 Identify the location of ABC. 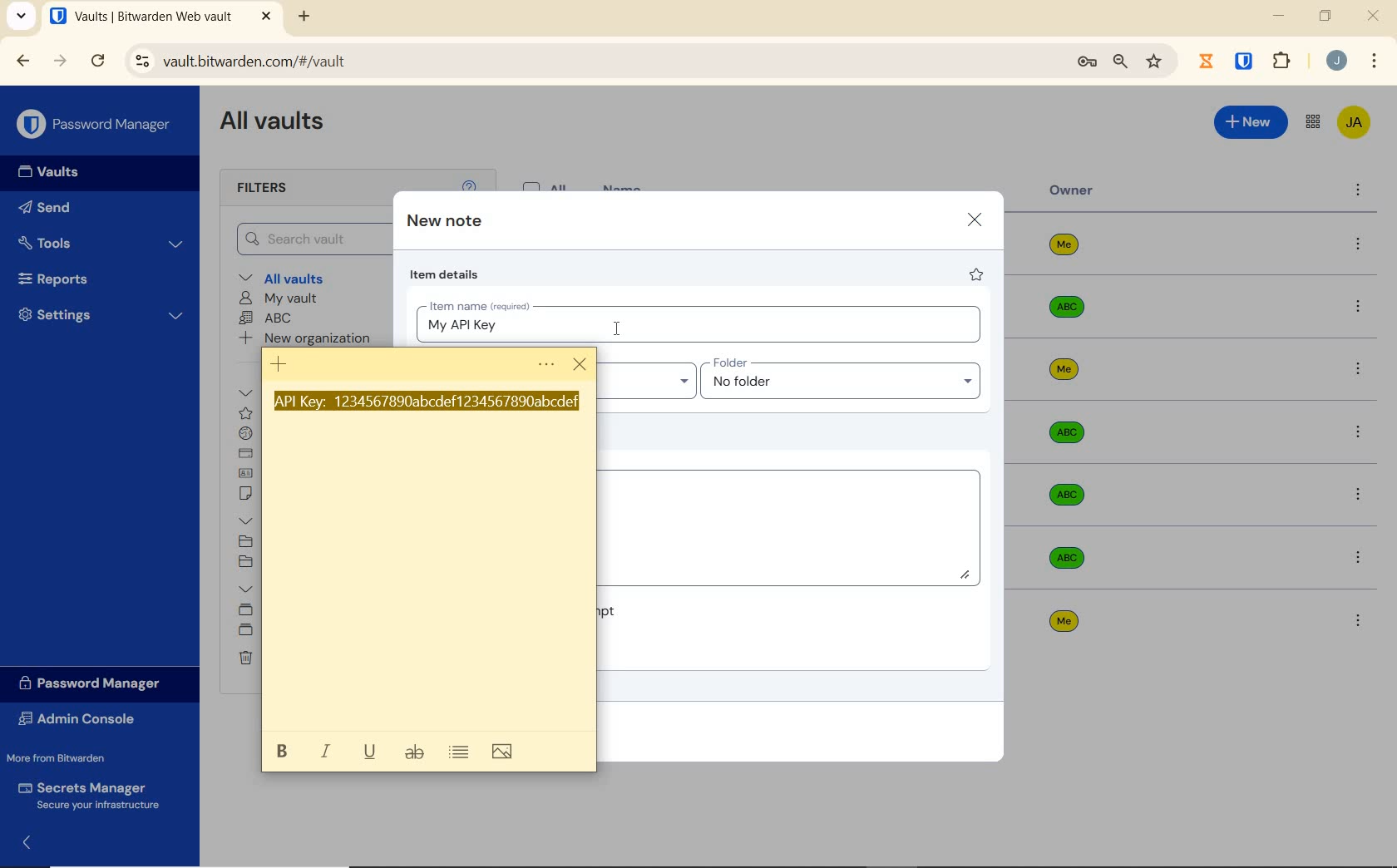
(269, 319).